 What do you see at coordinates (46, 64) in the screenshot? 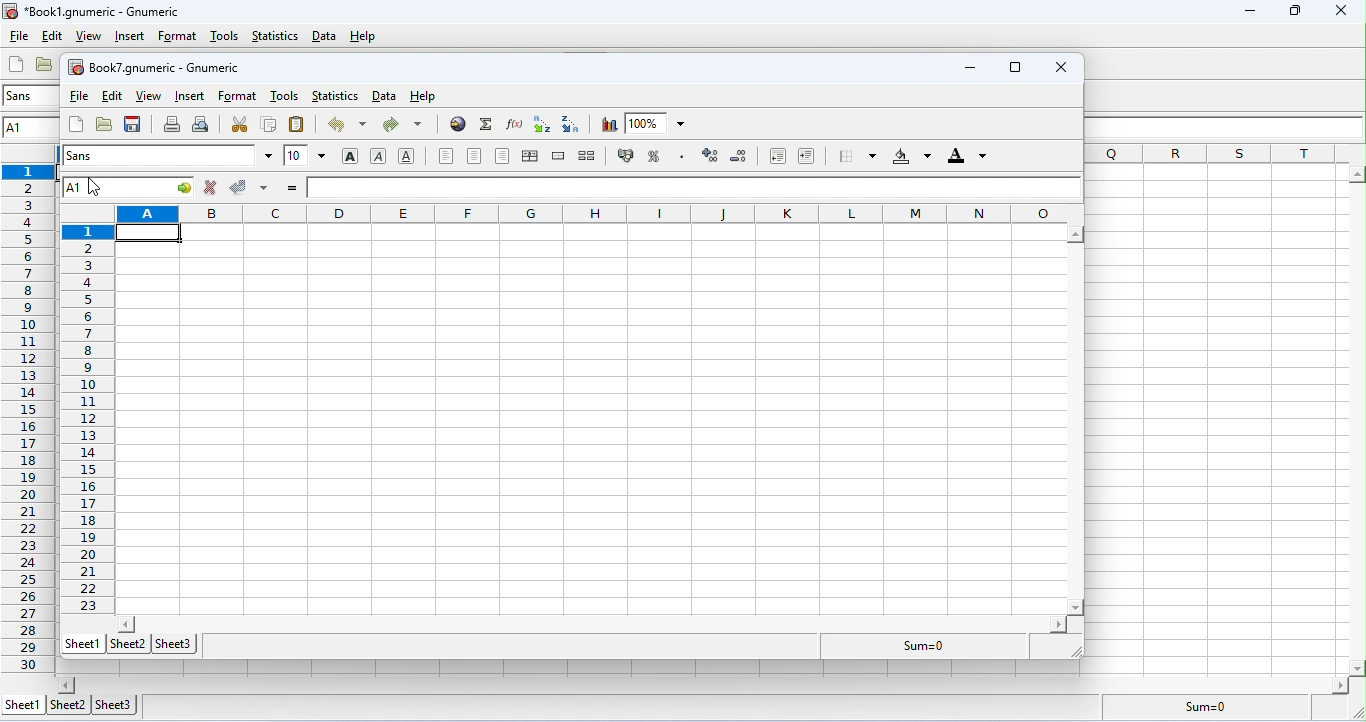
I see `open` at bounding box center [46, 64].